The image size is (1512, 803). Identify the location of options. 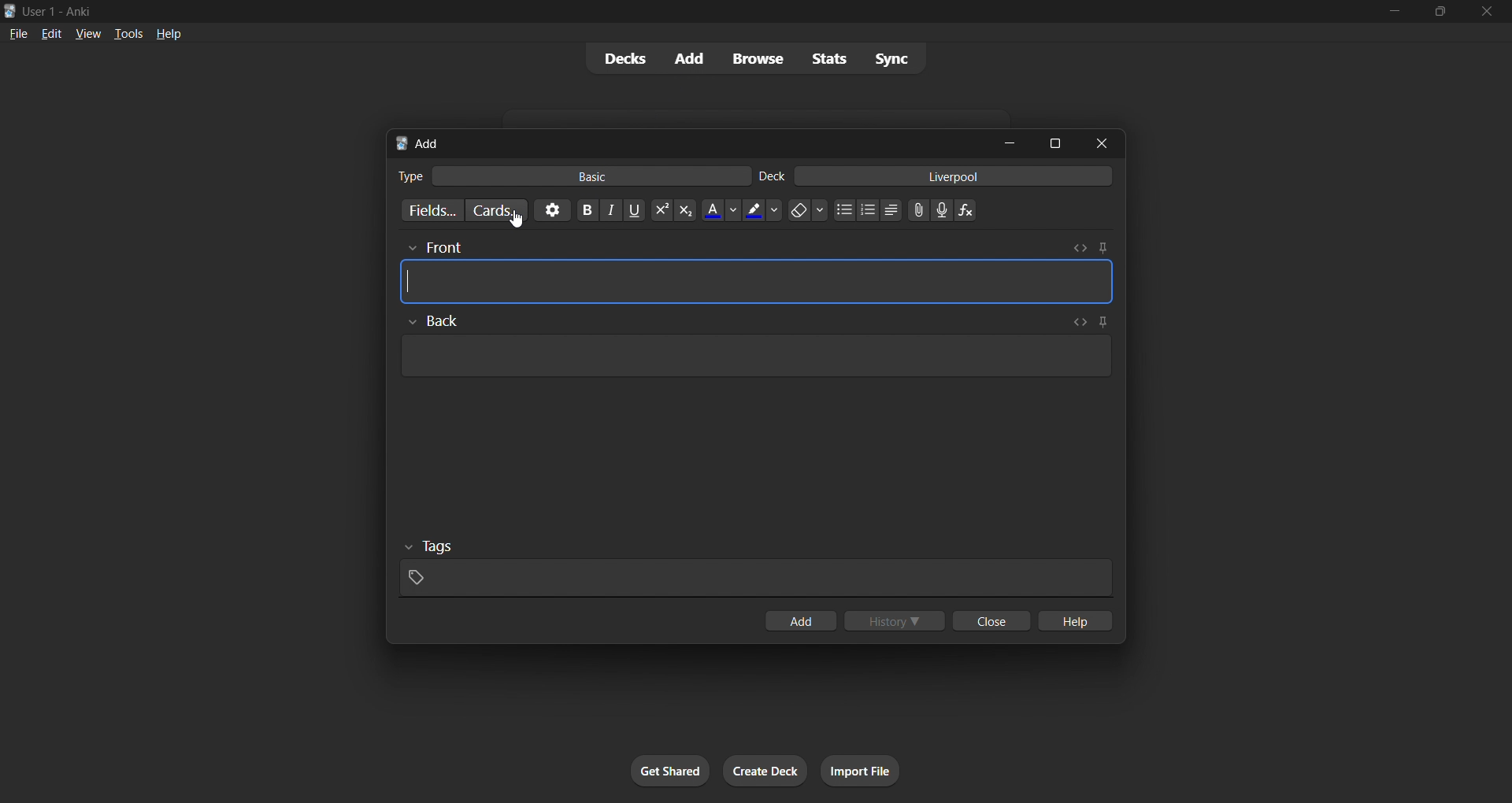
(553, 210).